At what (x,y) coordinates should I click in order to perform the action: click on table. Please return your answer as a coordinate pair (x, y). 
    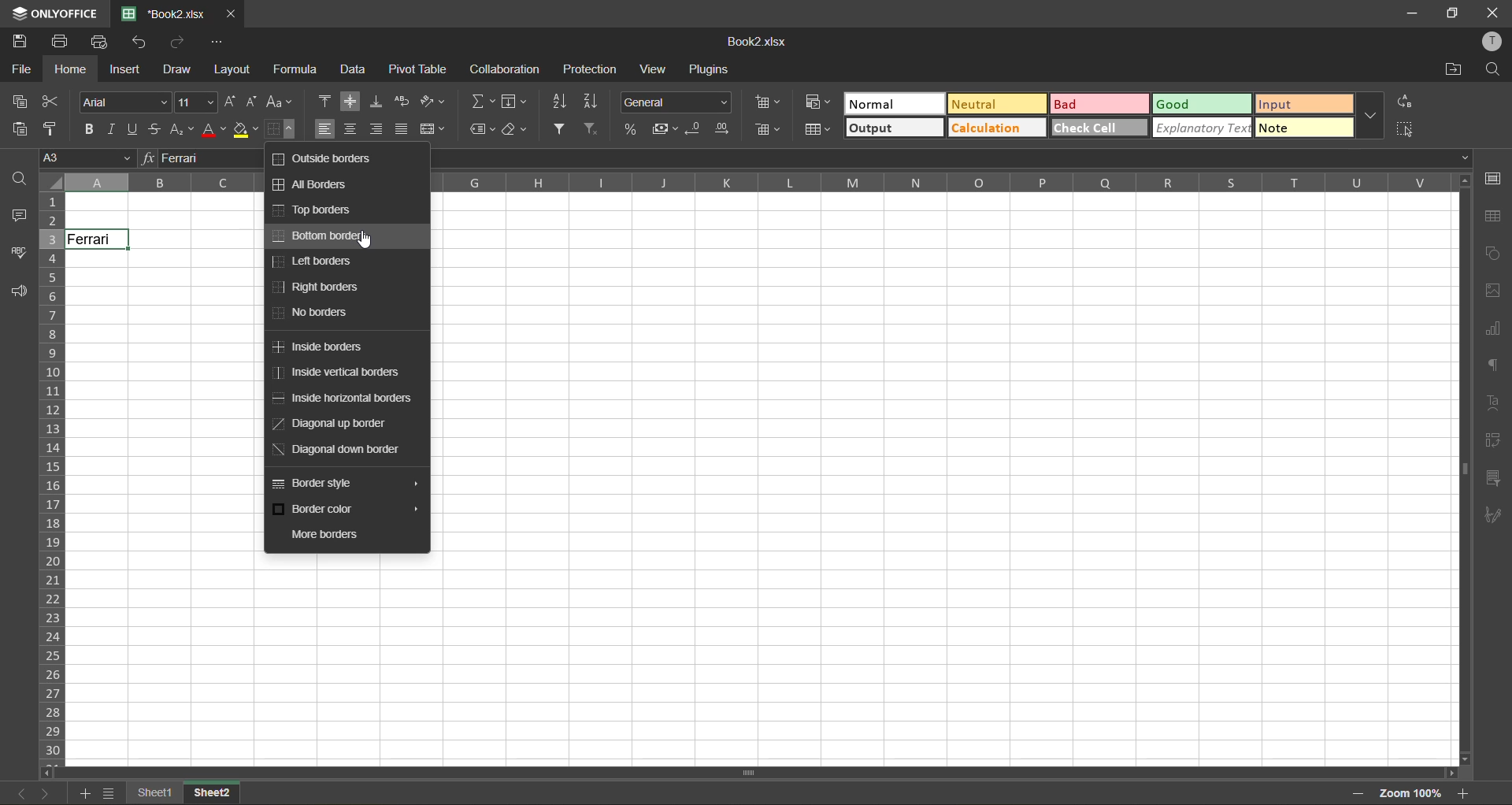
    Looking at the image, I should click on (1494, 216).